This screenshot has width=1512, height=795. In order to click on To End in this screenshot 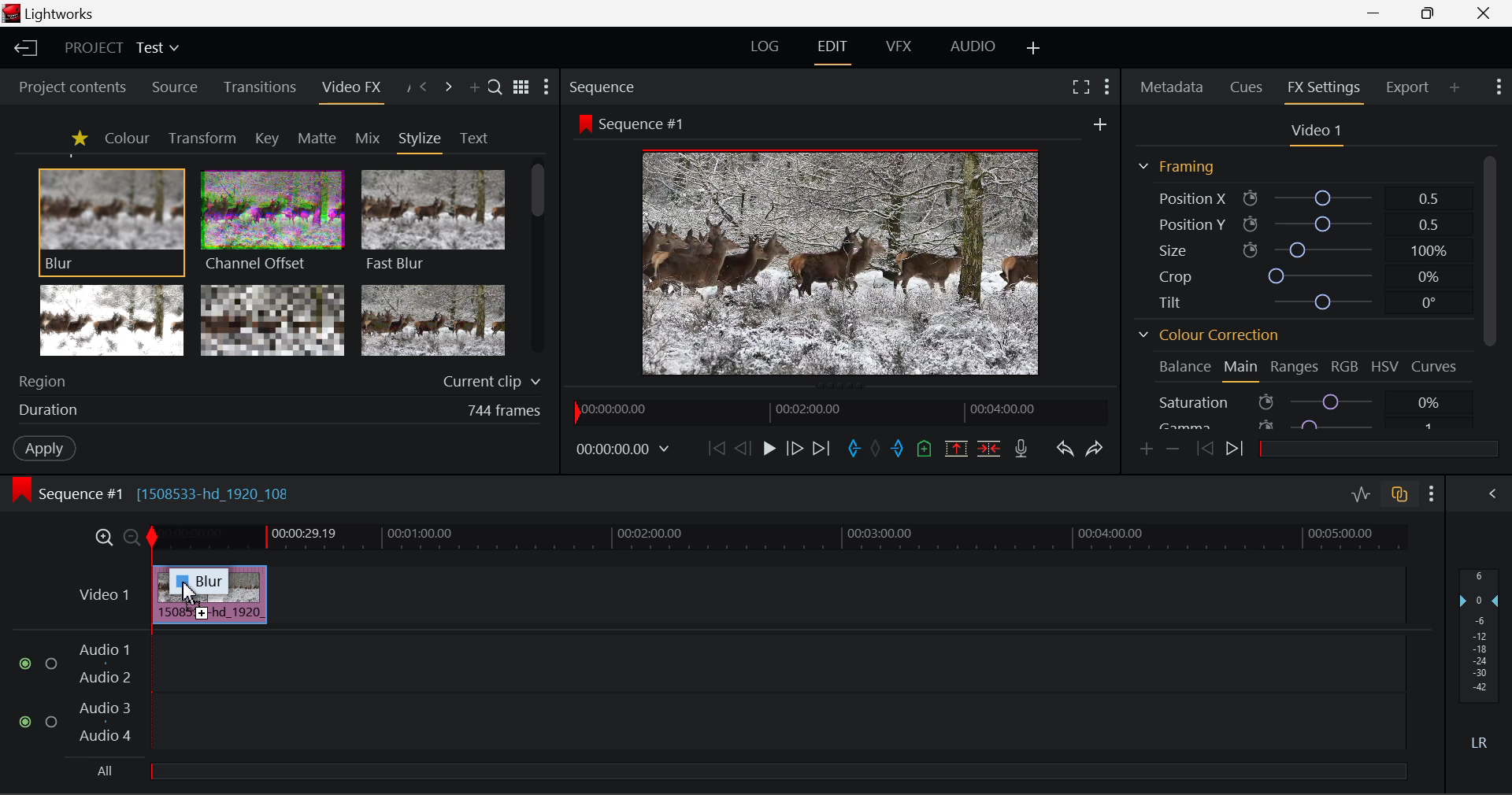, I will do `click(823, 446)`.